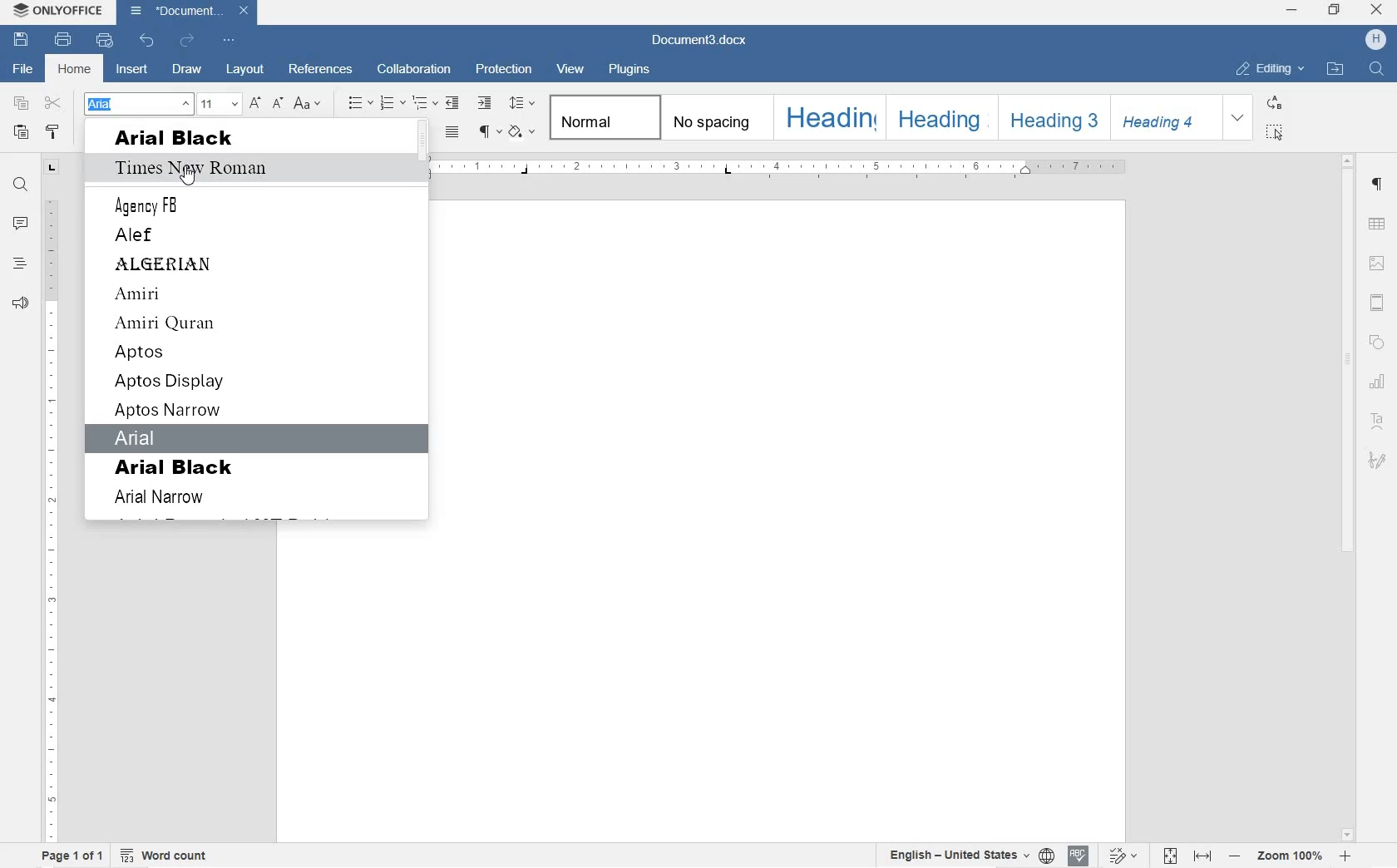 The width and height of the screenshot is (1397, 868). Describe the element at coordinates (311, 104) in the screenshot. I see `CHANGE CASE` at that location.